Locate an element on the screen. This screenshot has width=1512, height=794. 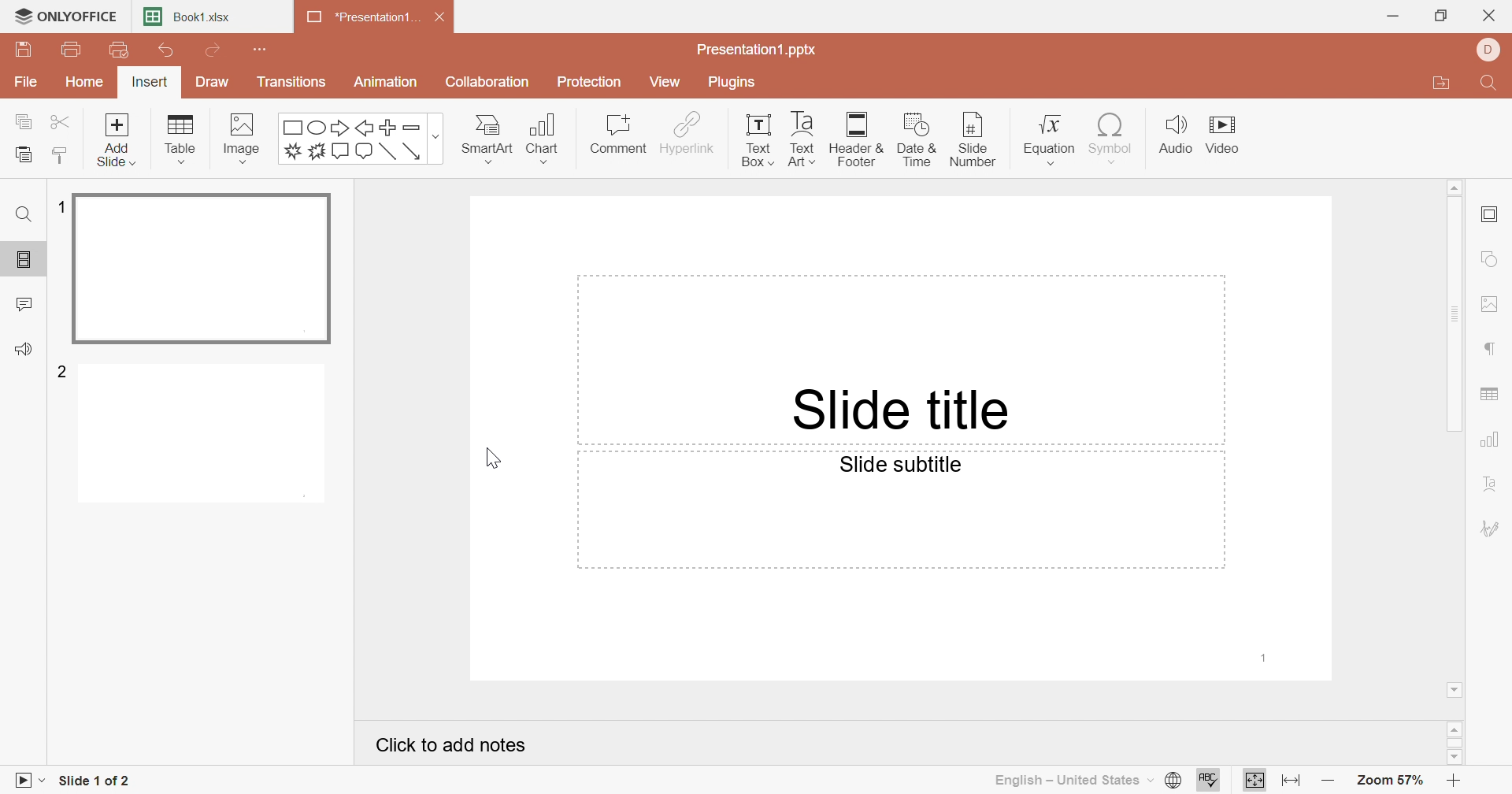
Symbol is located at coordinates (1108, 138).